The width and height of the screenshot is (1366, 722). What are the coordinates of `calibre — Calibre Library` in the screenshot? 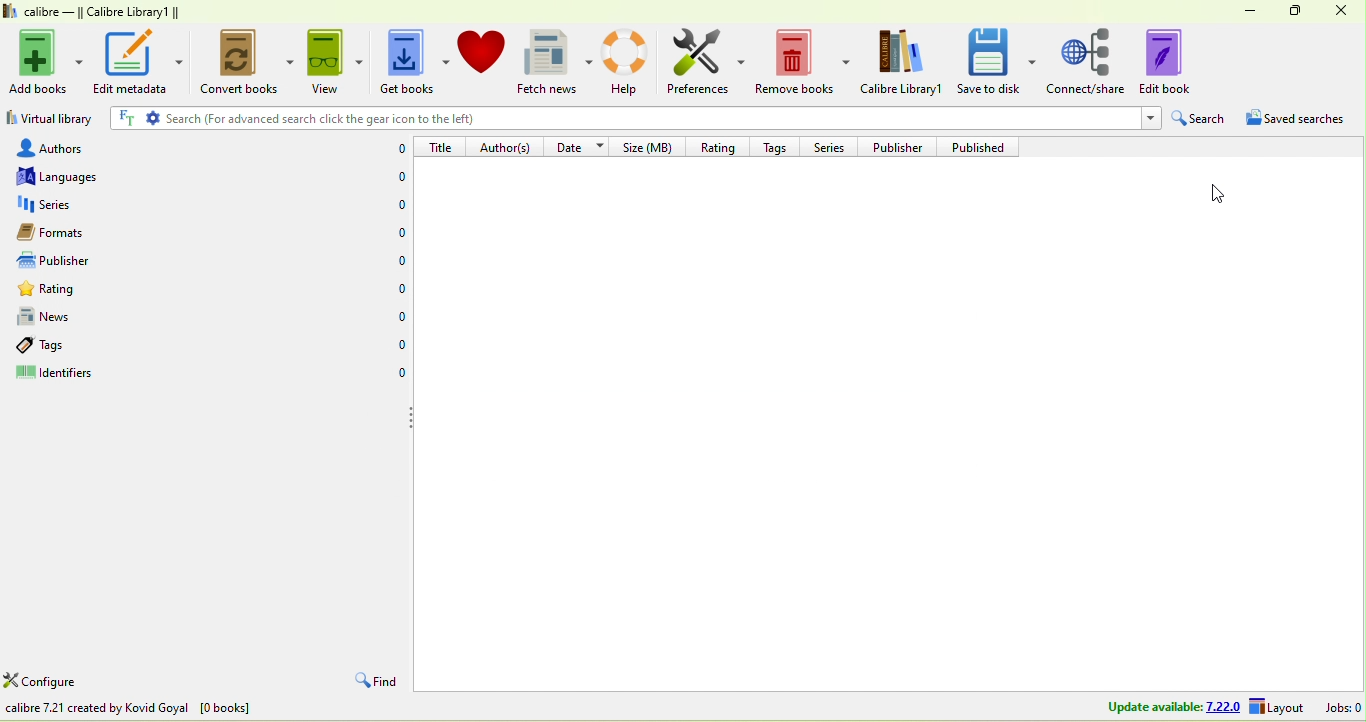 It's located at (88, 12).